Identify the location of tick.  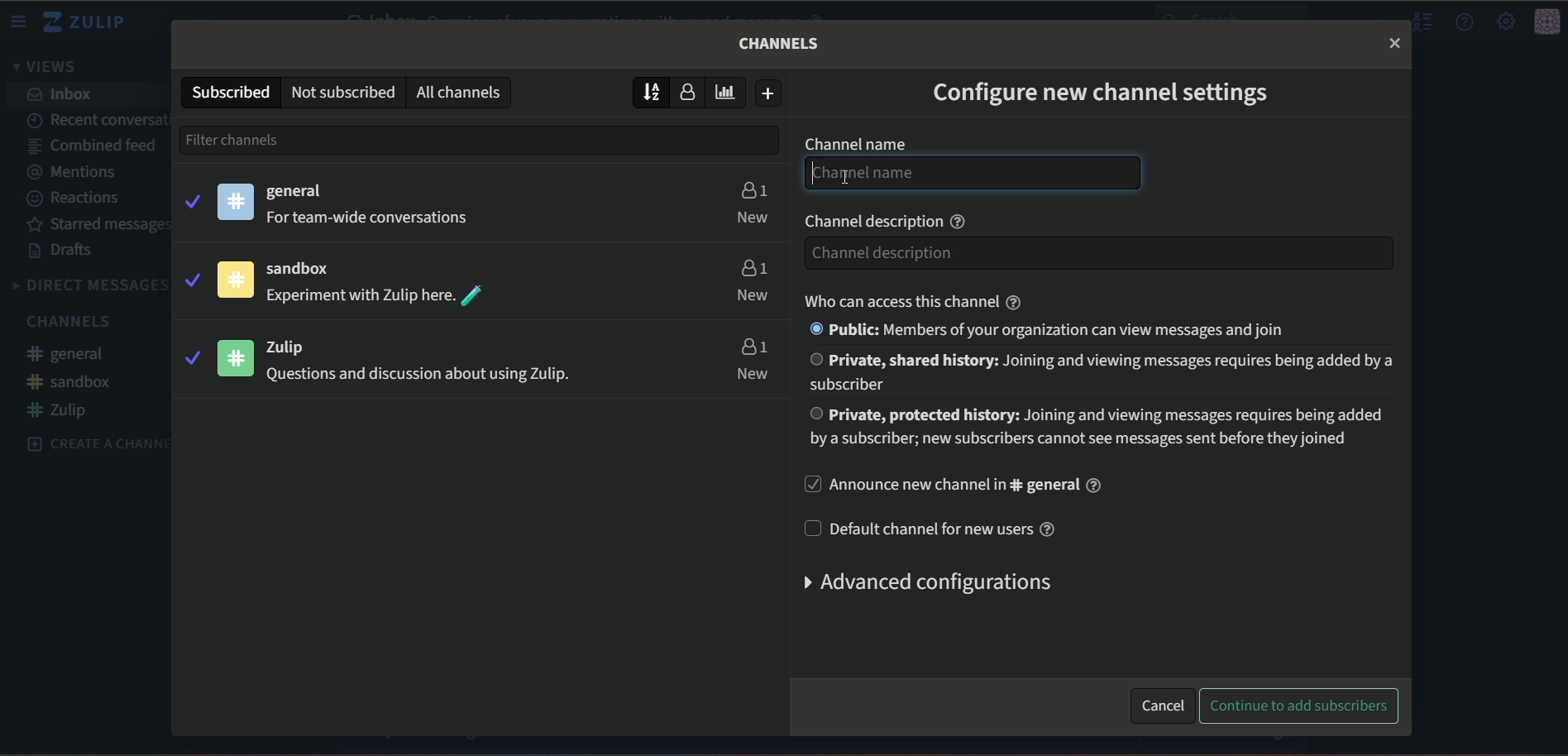
(190, 357).